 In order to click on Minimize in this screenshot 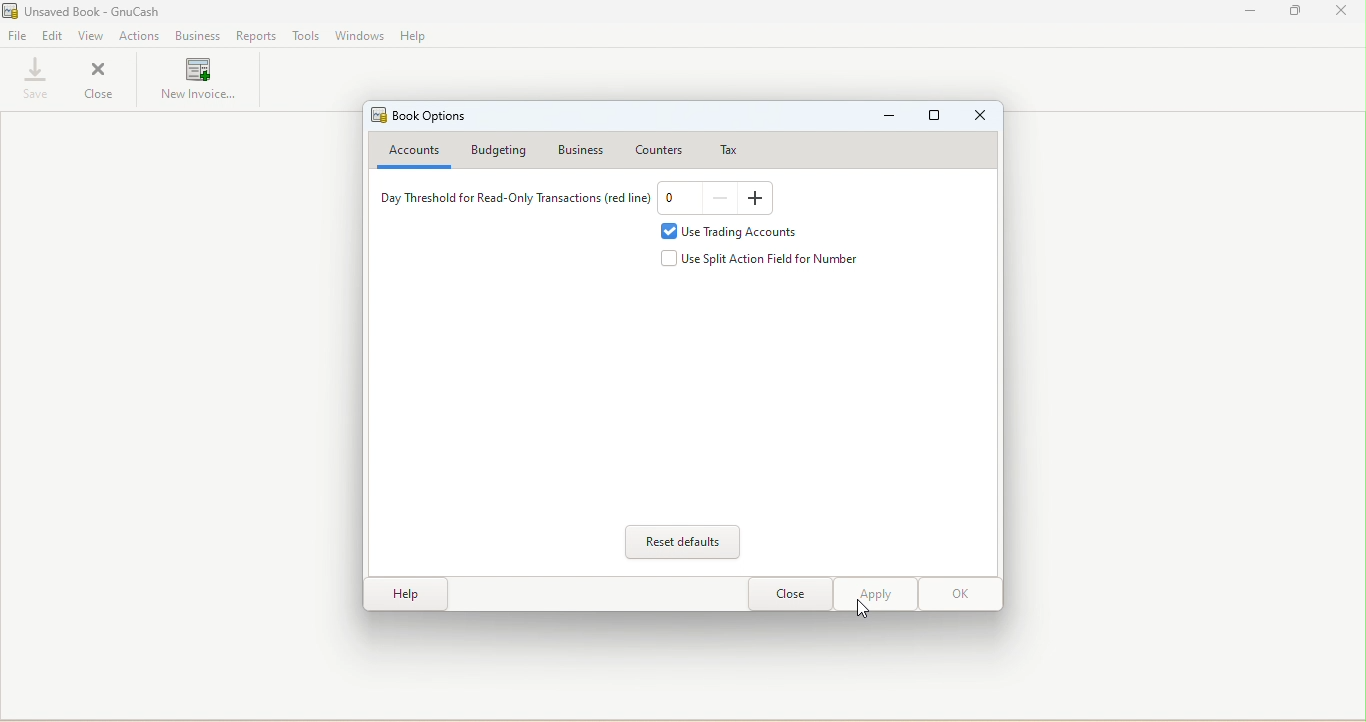, I will do `click(1252, 11)`.